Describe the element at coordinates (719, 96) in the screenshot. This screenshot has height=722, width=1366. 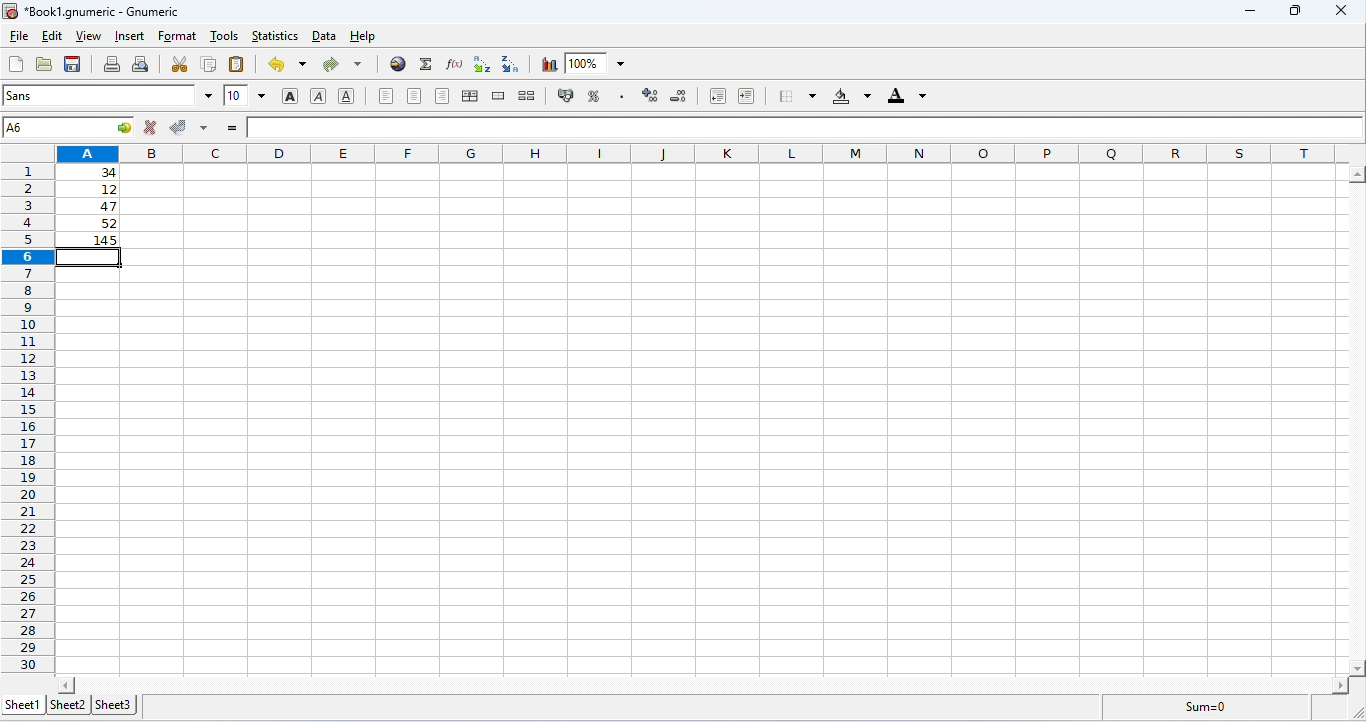
I see `decrease indent` at that location.